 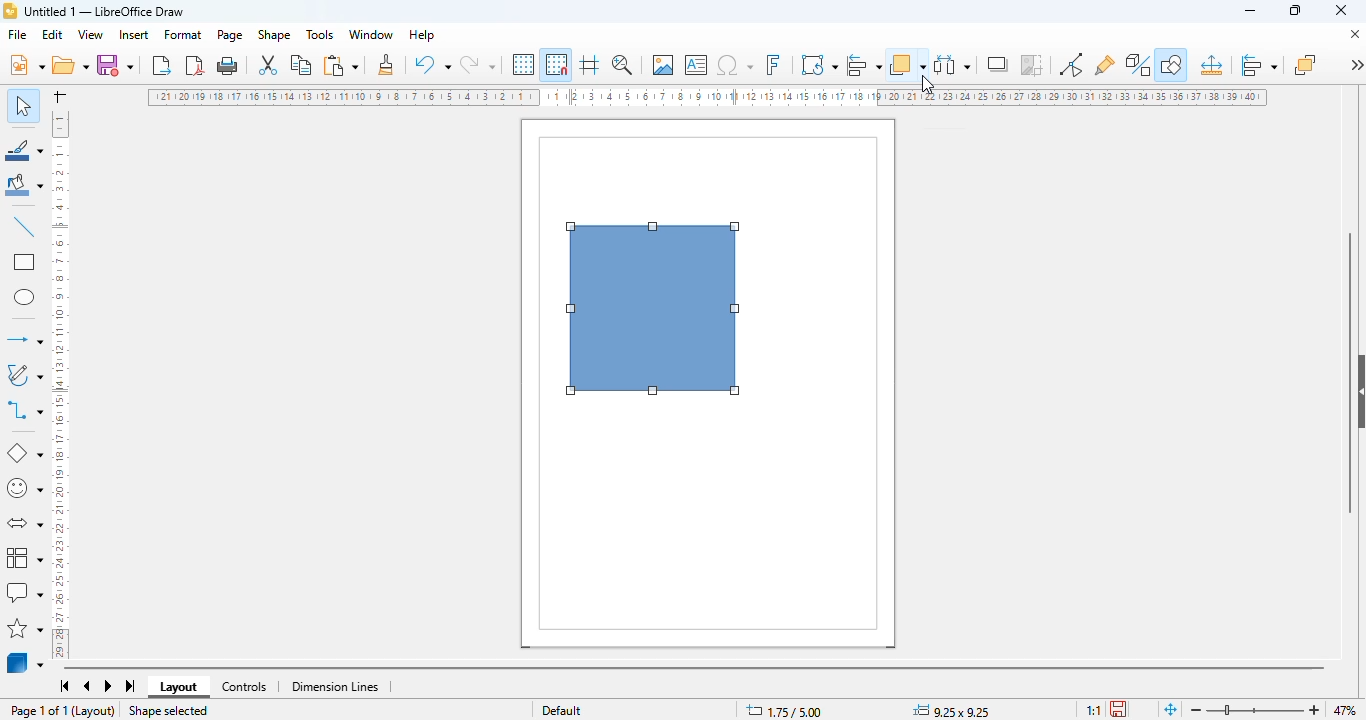 I want to click on callout shapes, so click(x=24, y=593).